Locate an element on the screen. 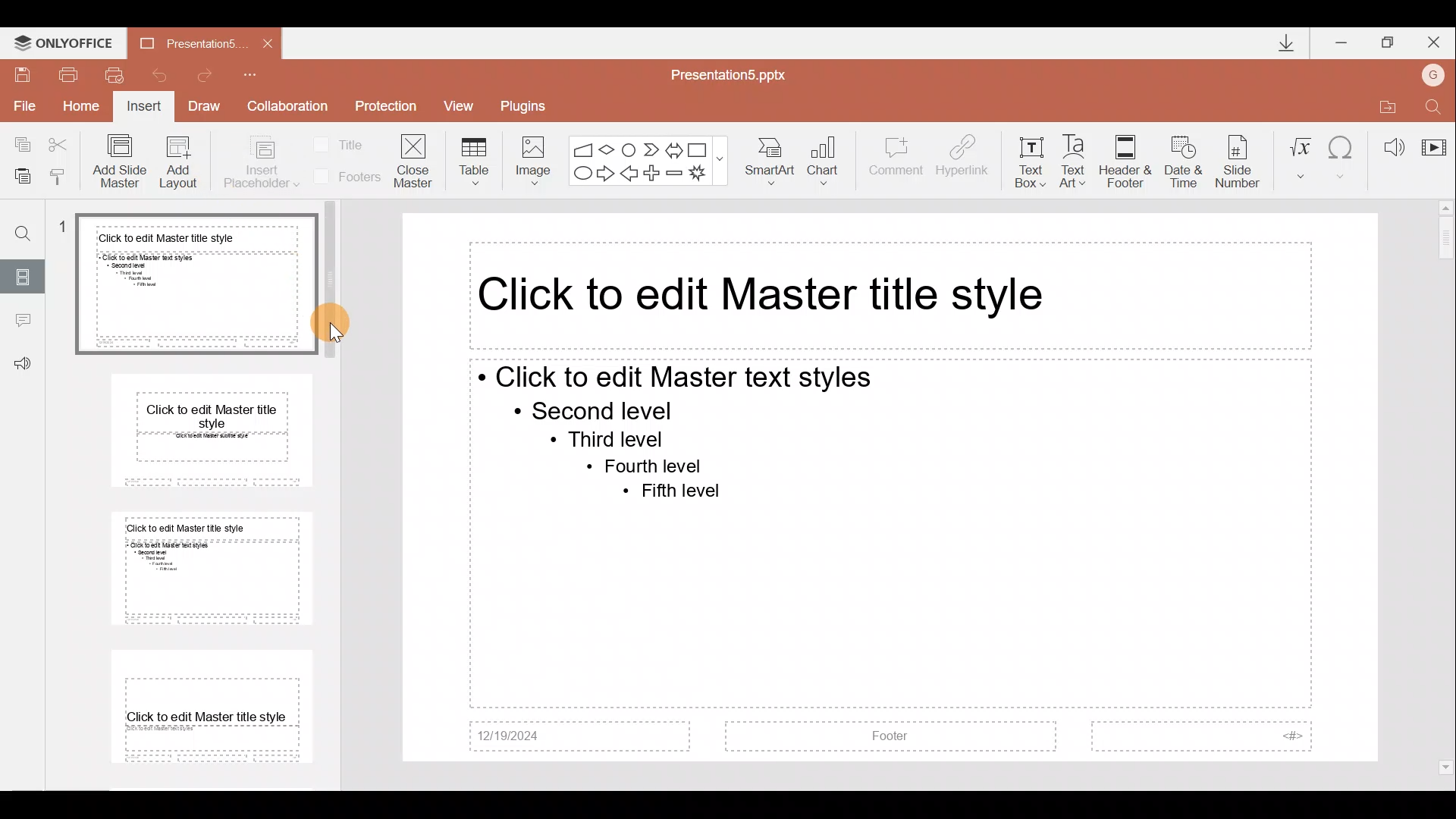 The height and width of the screenshot is (819, 1456). Text box is located at coordinates (1030, 158).